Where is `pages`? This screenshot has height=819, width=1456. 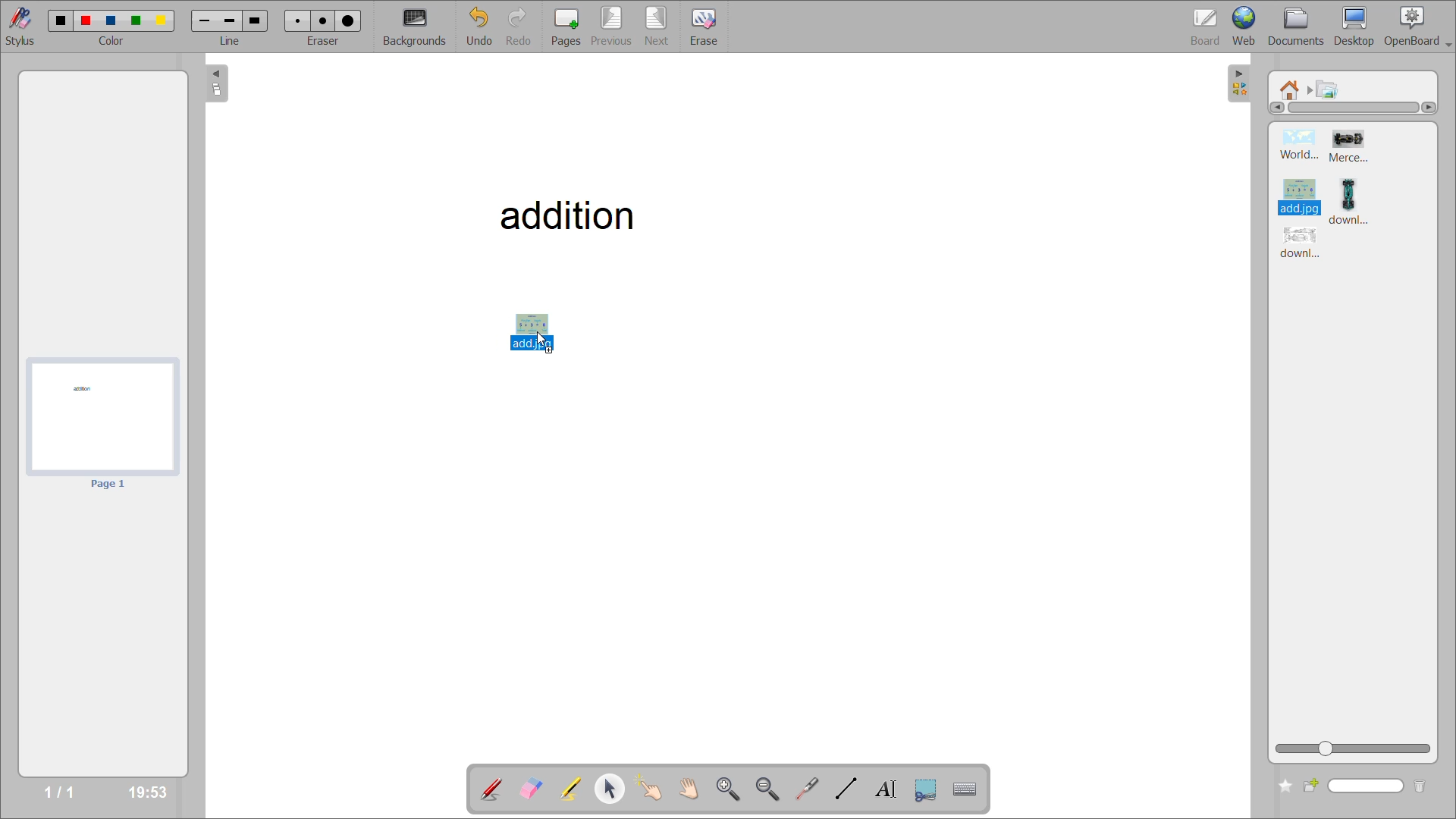 pages is located at coordinates (565, 27).